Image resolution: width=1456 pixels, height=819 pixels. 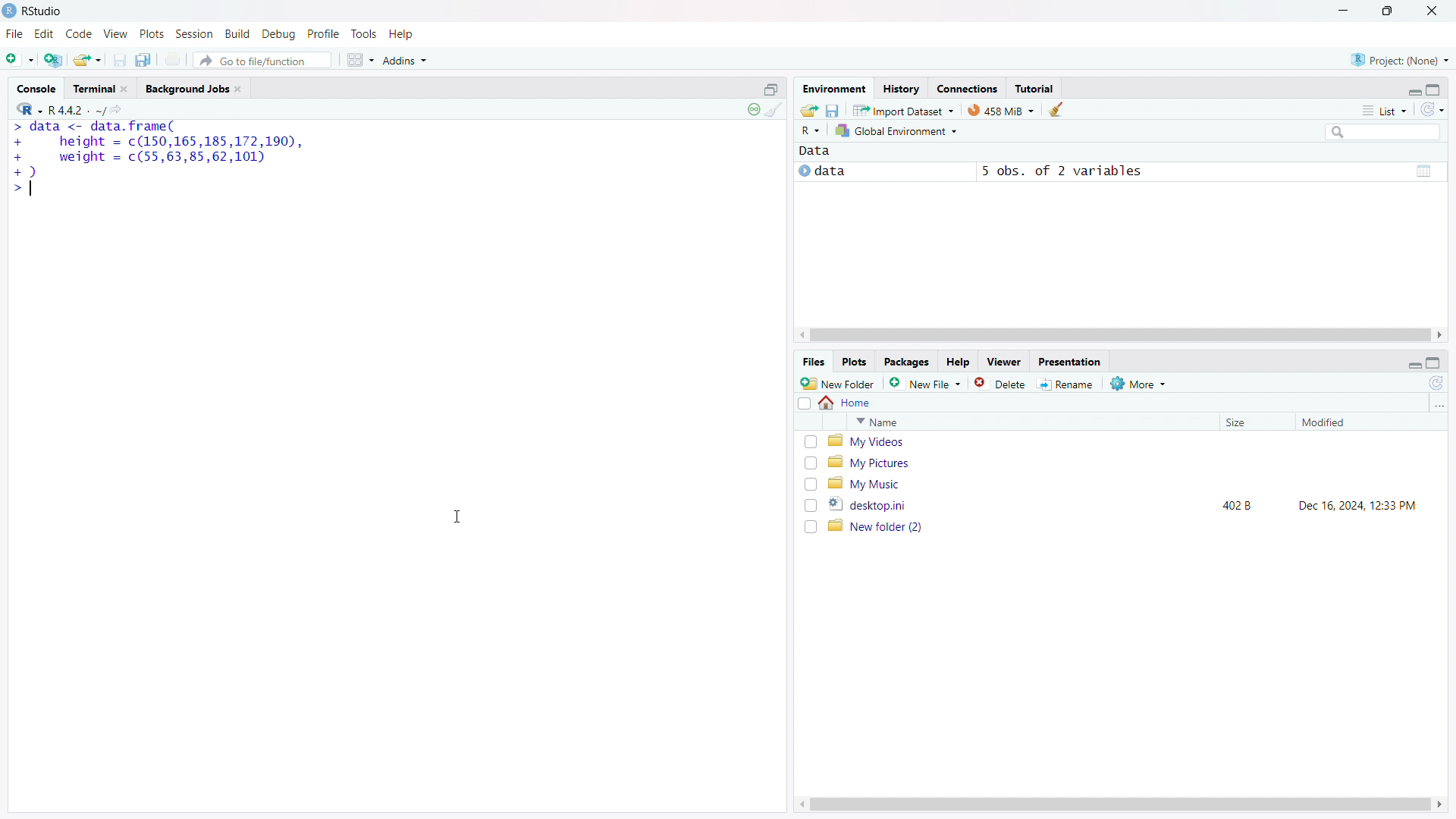 What do you see at coordinates (1384, 110) in the screenshot?
I see `list` at bounding box center [1384, 110].